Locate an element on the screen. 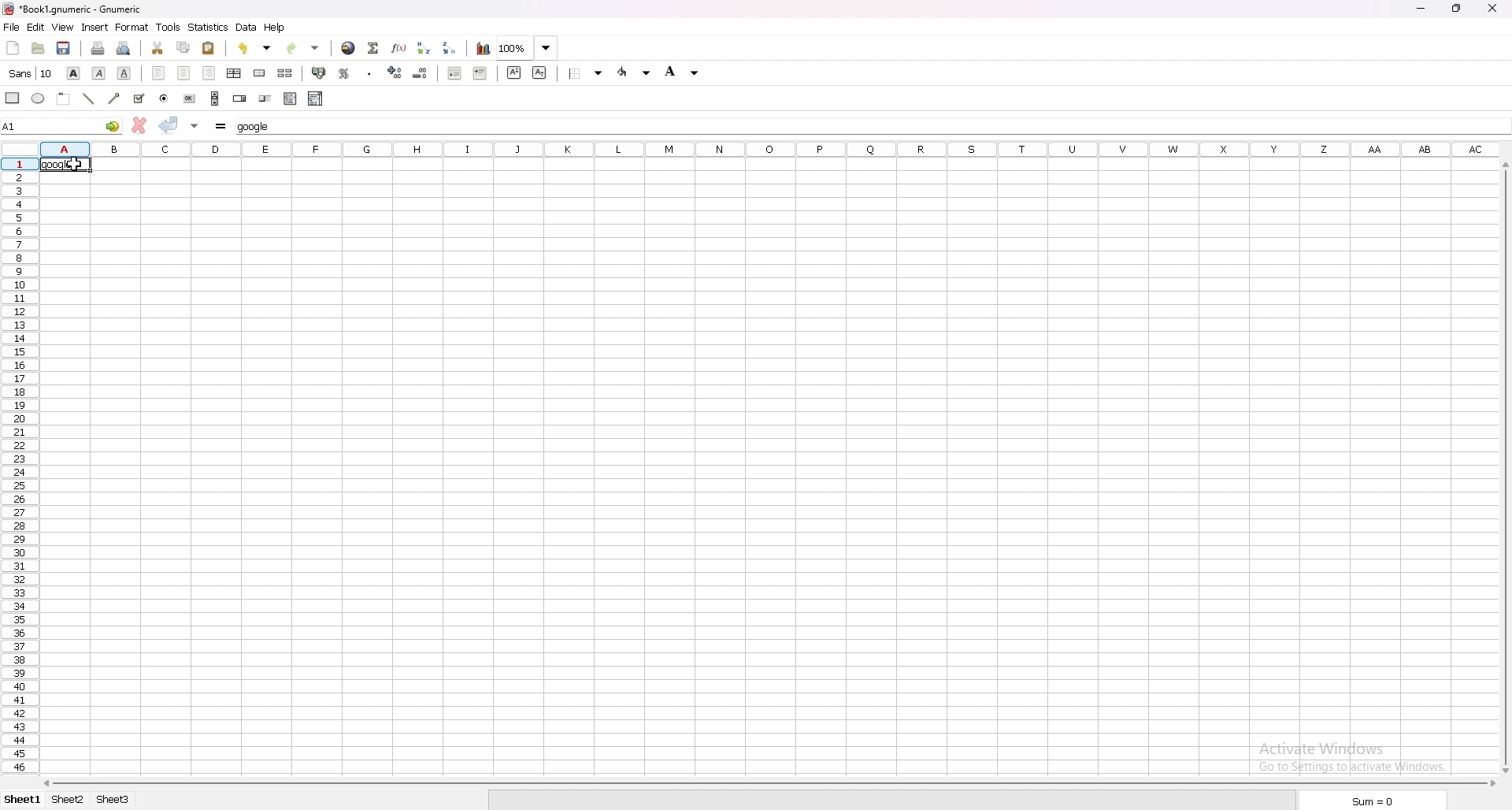 This screenshot has width=1512, height=810. rows is located at coordinates (21, 466).